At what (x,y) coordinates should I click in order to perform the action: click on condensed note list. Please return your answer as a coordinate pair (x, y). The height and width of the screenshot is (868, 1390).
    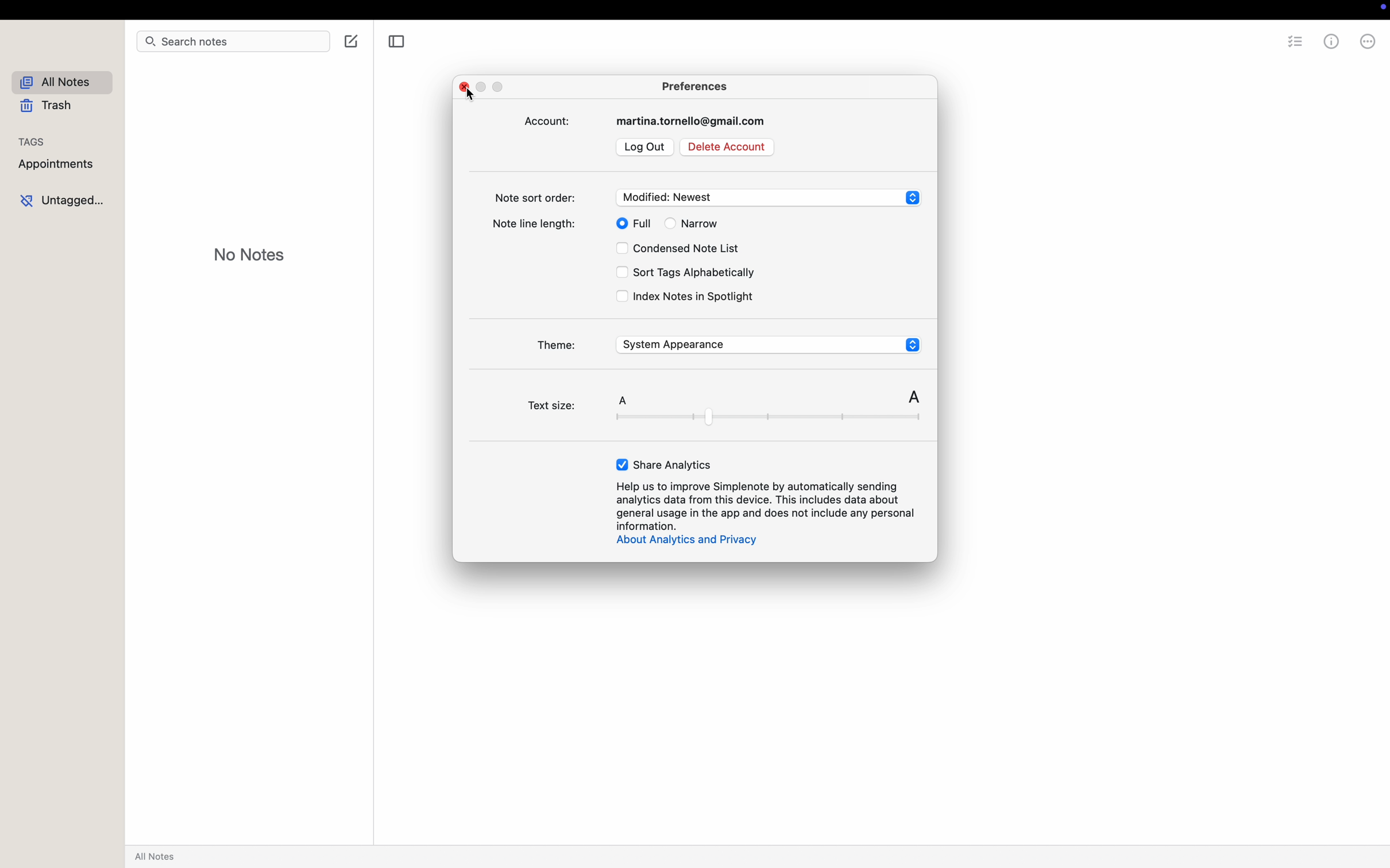
    Looking at the image, I should click on (682, 248).